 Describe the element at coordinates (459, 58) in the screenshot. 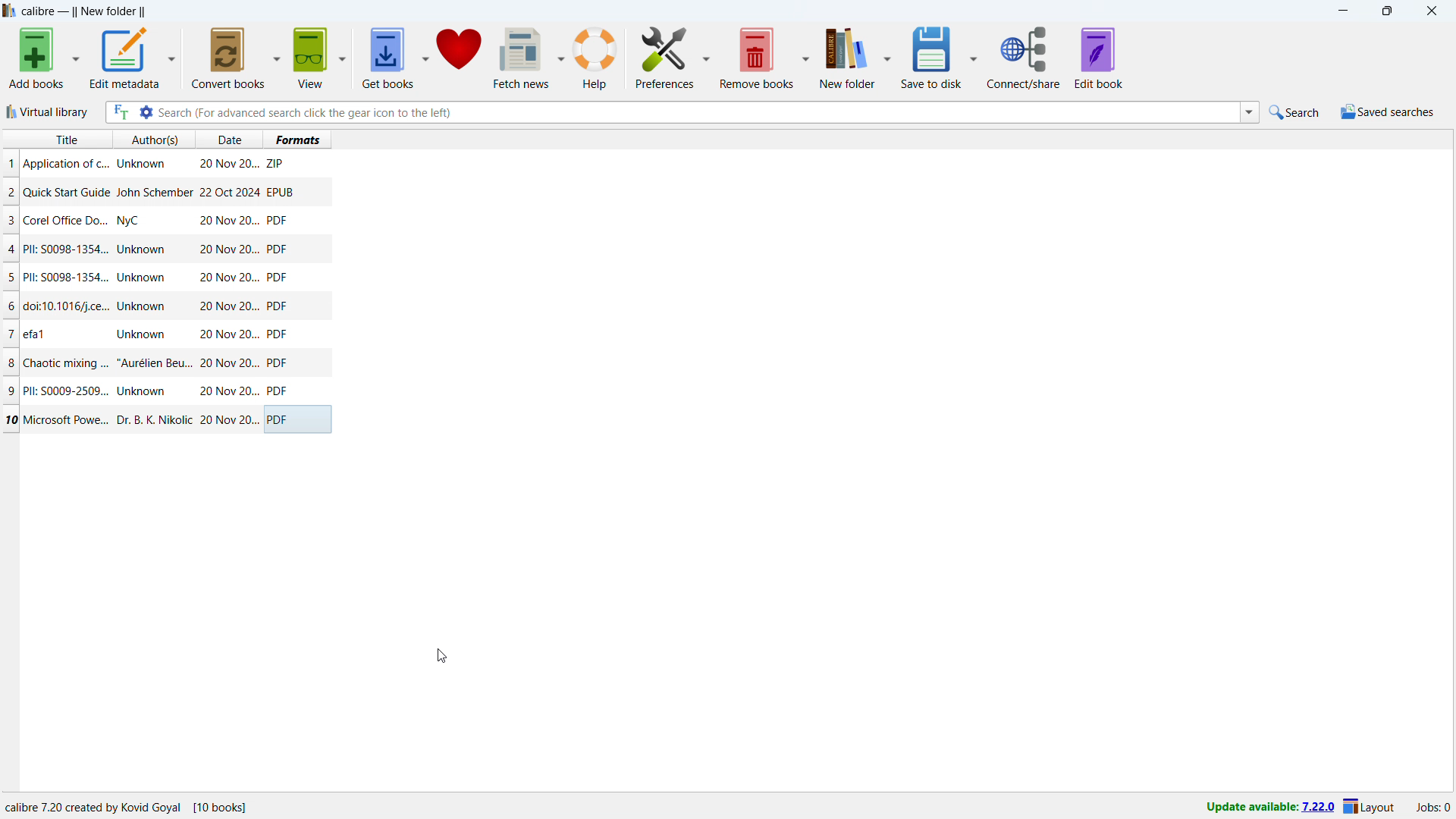

I see `donate to calibre` at that location.